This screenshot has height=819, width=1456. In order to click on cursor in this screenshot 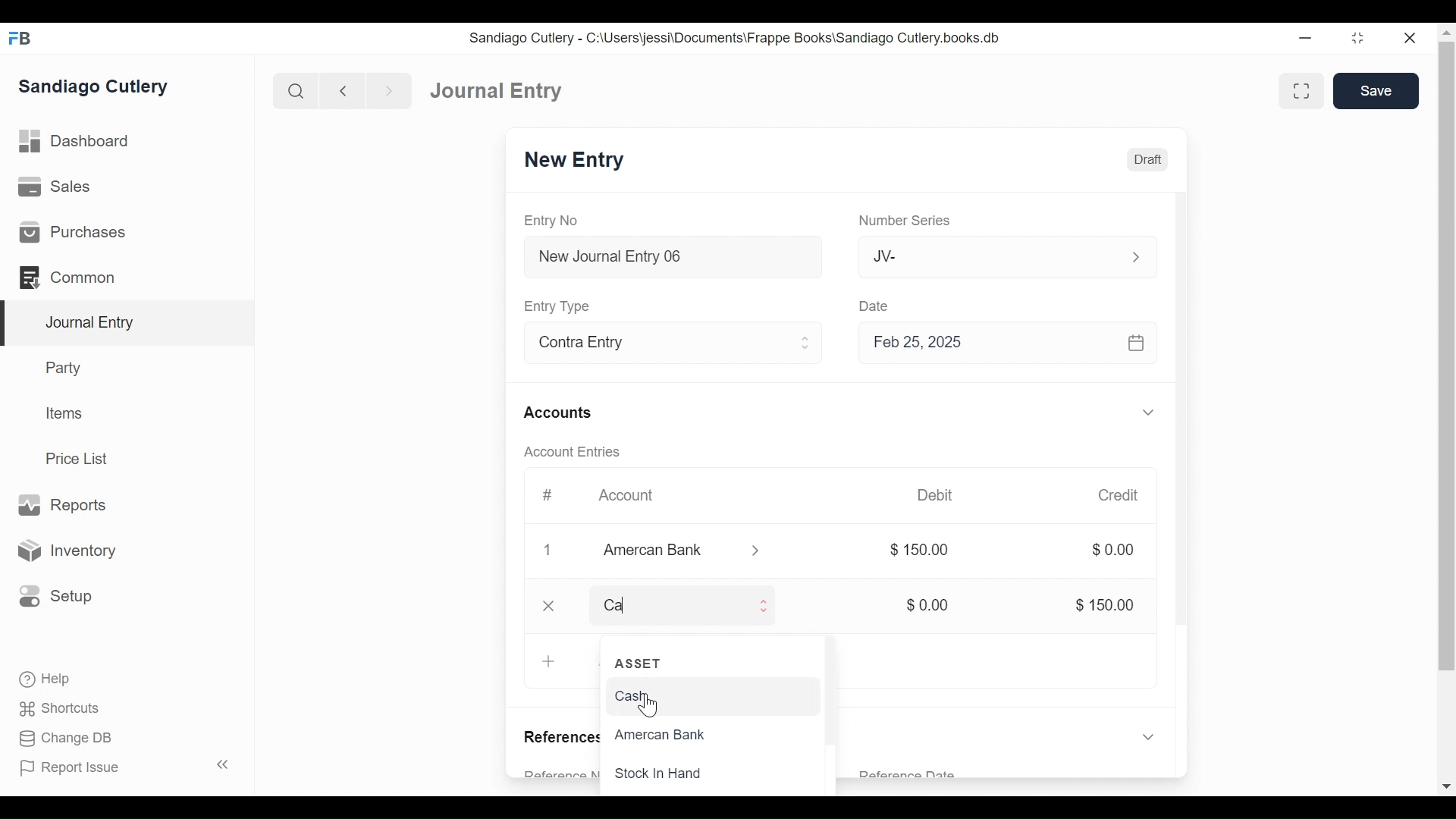, I will do `click(648, 705)`.